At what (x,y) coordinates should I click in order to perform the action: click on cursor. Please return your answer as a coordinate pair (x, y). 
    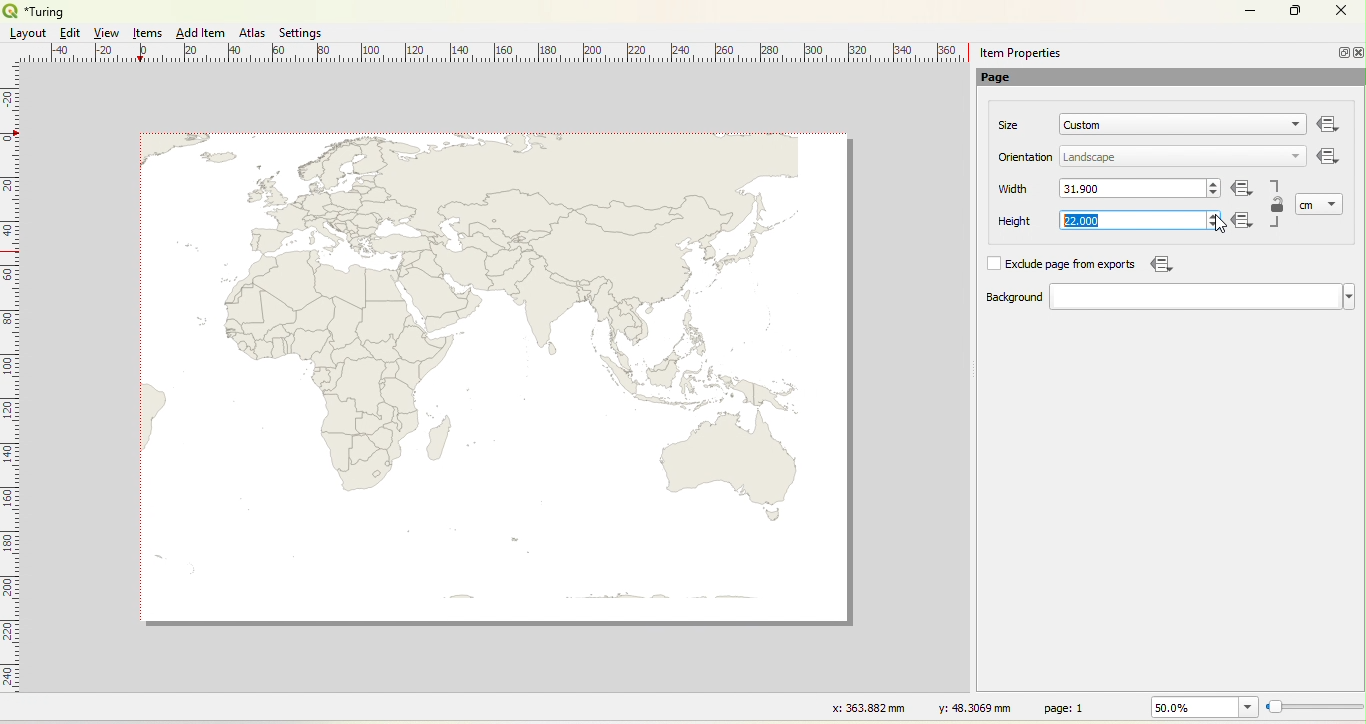
    Looking at the image, I should click on (1219, 224).